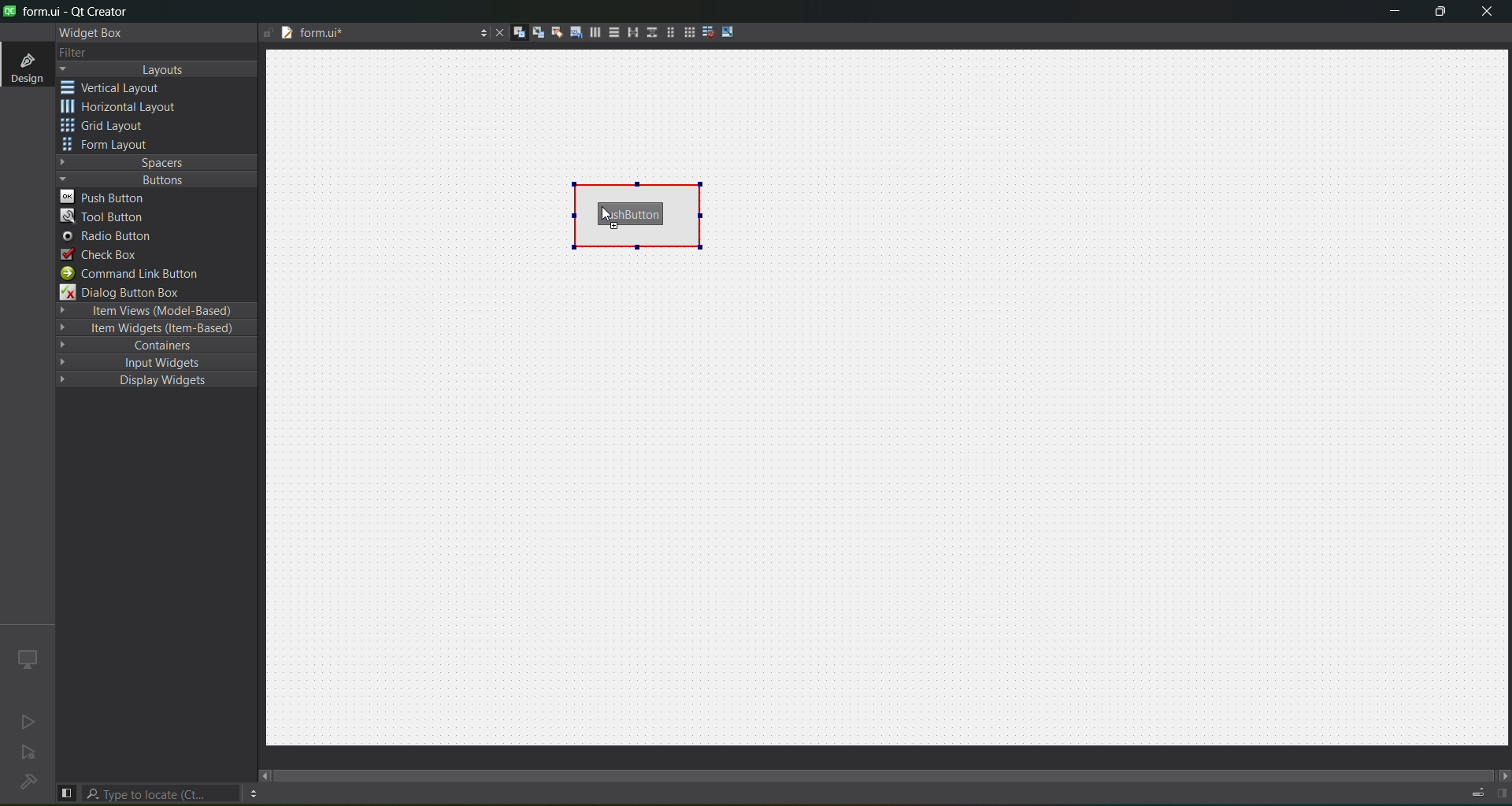 The image size is (1512, 806). I want to click on item views, so click(154, 310).